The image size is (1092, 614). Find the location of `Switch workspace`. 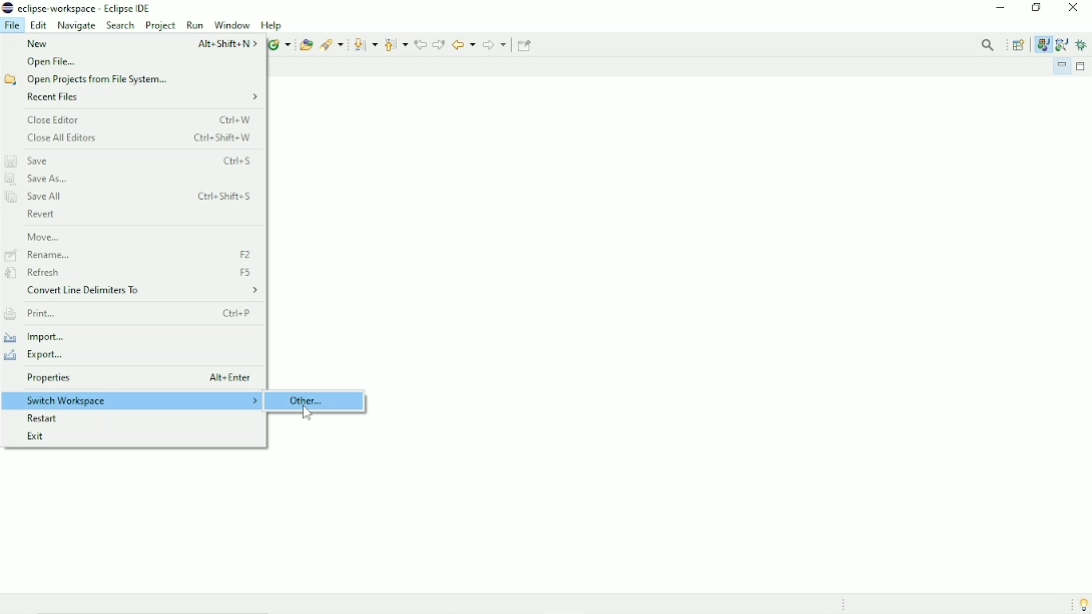

Switch workspace is located at coordinates (134, 401).